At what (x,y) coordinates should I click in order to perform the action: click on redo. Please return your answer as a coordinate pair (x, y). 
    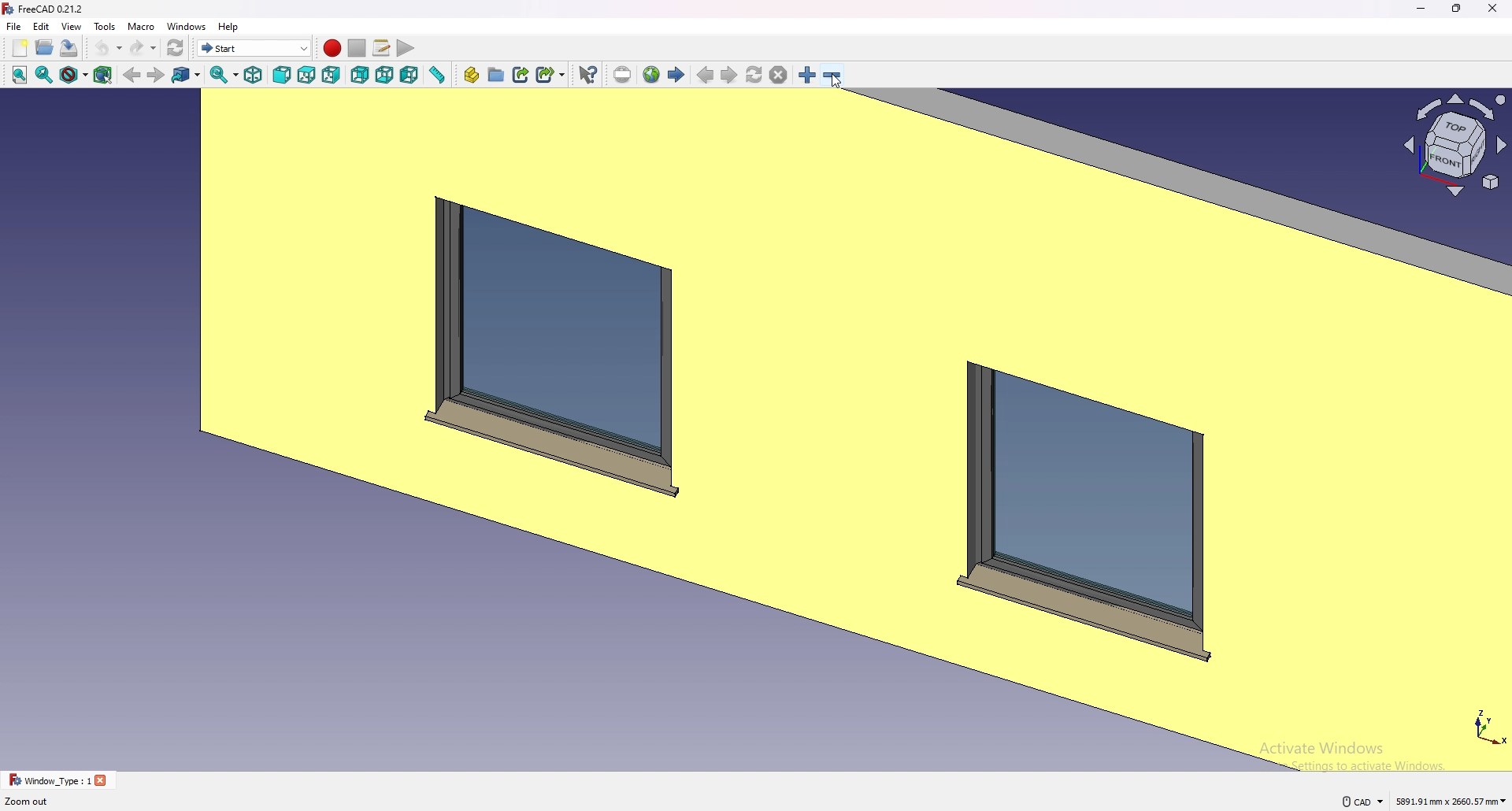
    Looking at the image, I should click on (143, 48).